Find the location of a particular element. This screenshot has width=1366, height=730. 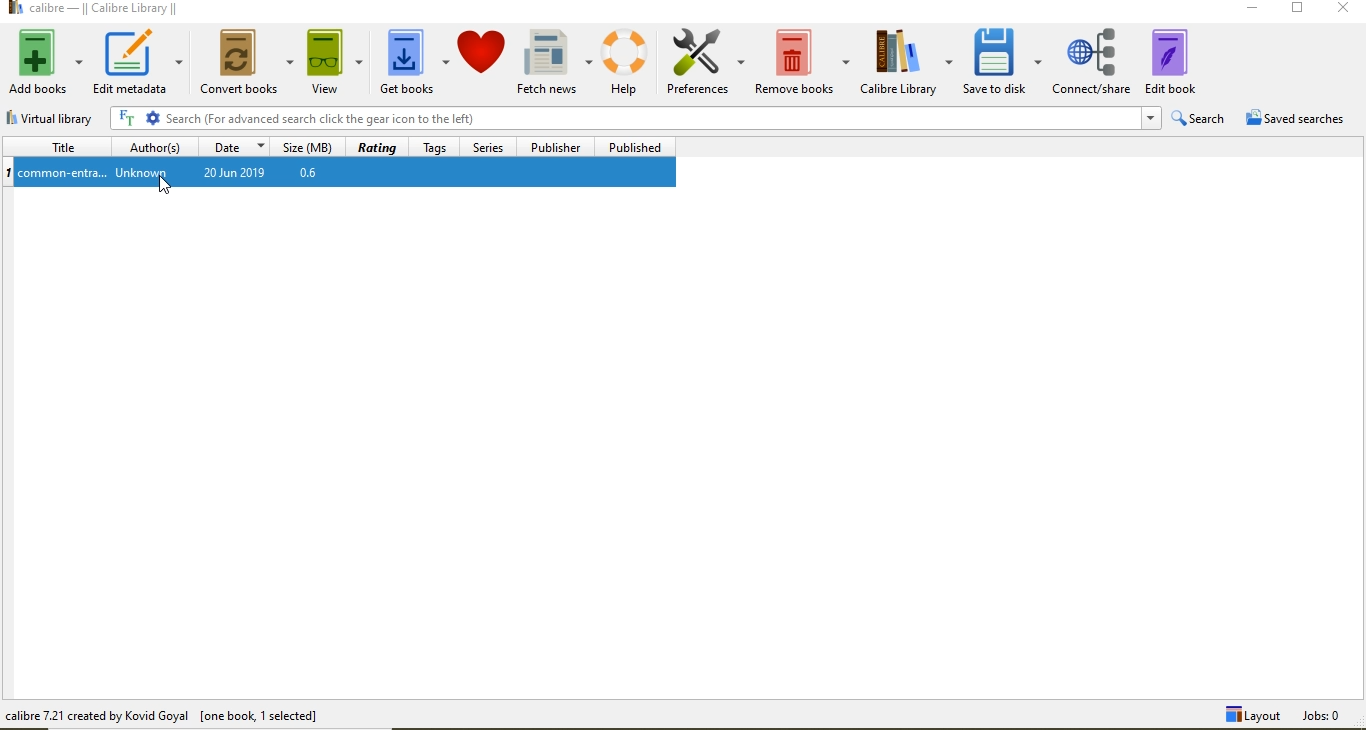

saved searches is located at coordinates (1300, 118).